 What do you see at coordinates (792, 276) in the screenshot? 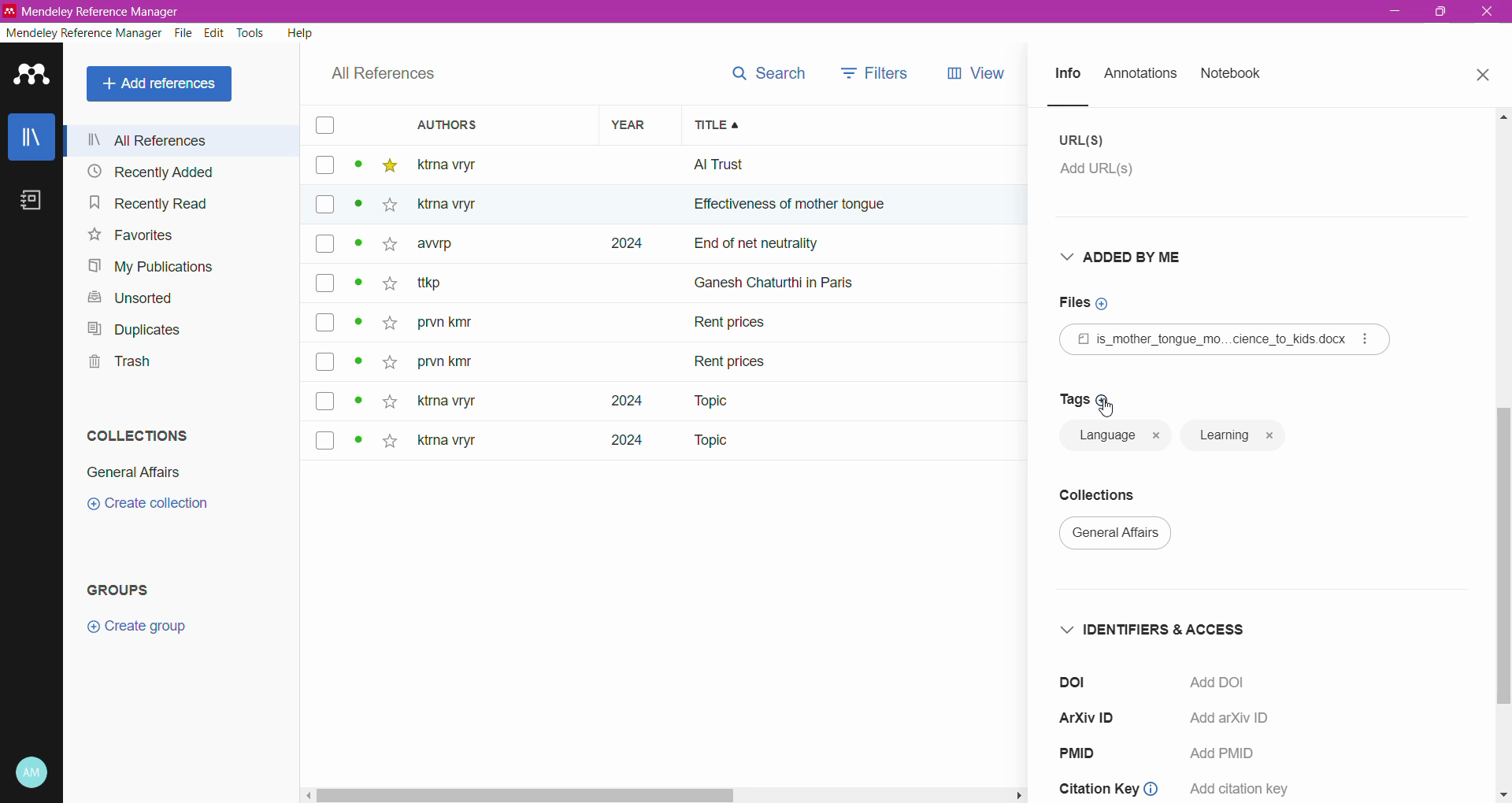
I see `ganesh chaturthi in paris ` at bounding box center [792, 276].